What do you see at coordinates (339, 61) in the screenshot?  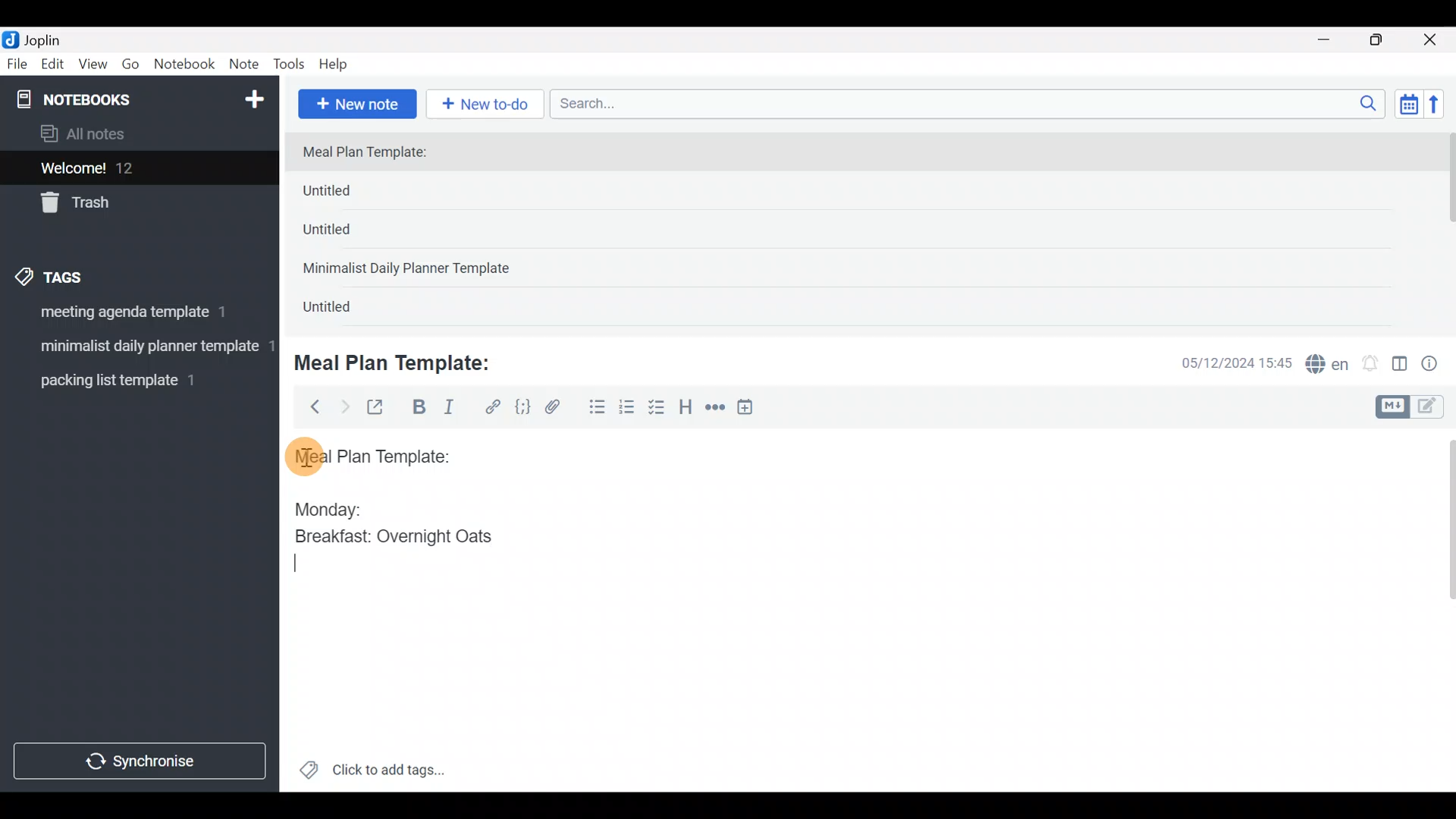 I see `Help` at bounding box center [339, 61].